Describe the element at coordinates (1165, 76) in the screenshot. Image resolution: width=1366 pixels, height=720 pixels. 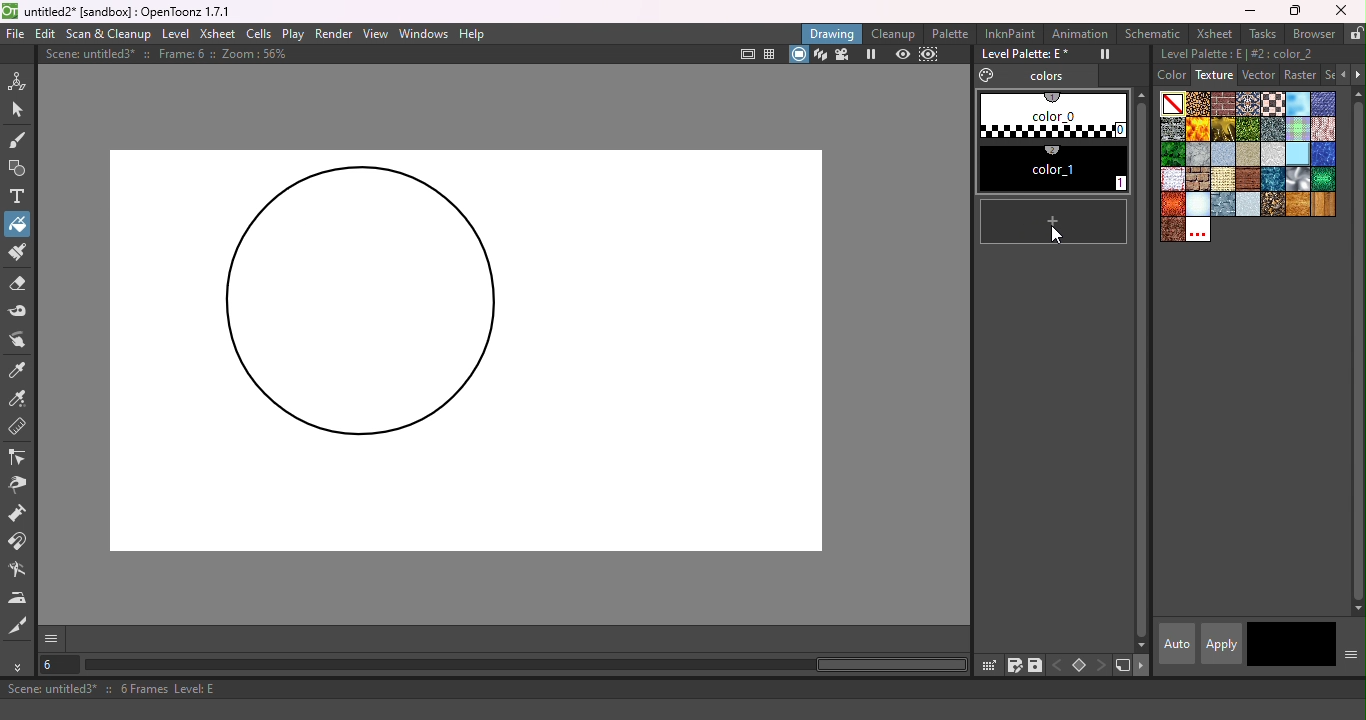
I see `Color` at that location.